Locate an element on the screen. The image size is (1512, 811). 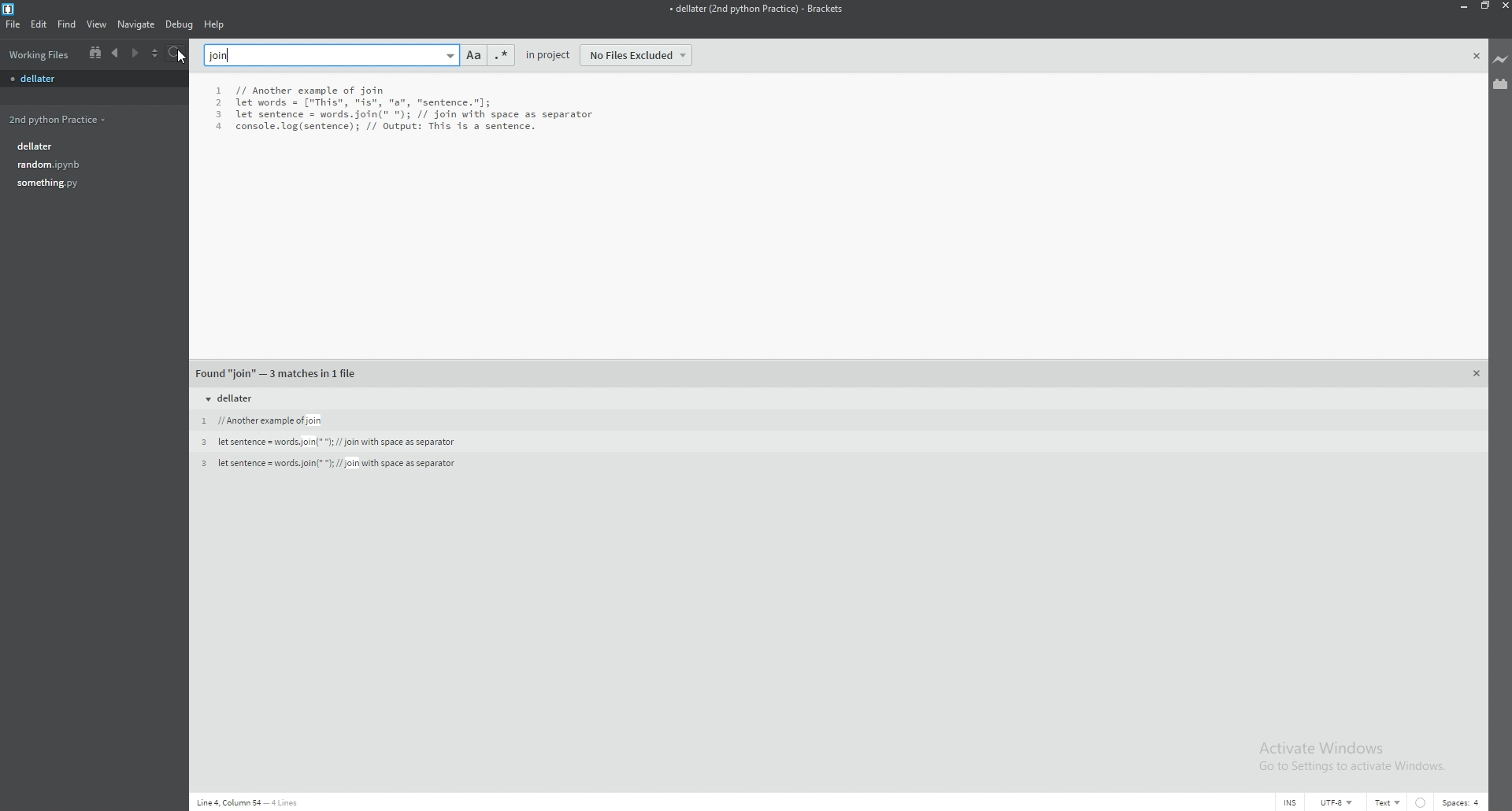
1 // Another example of join. is located at coordinates (257, 420).